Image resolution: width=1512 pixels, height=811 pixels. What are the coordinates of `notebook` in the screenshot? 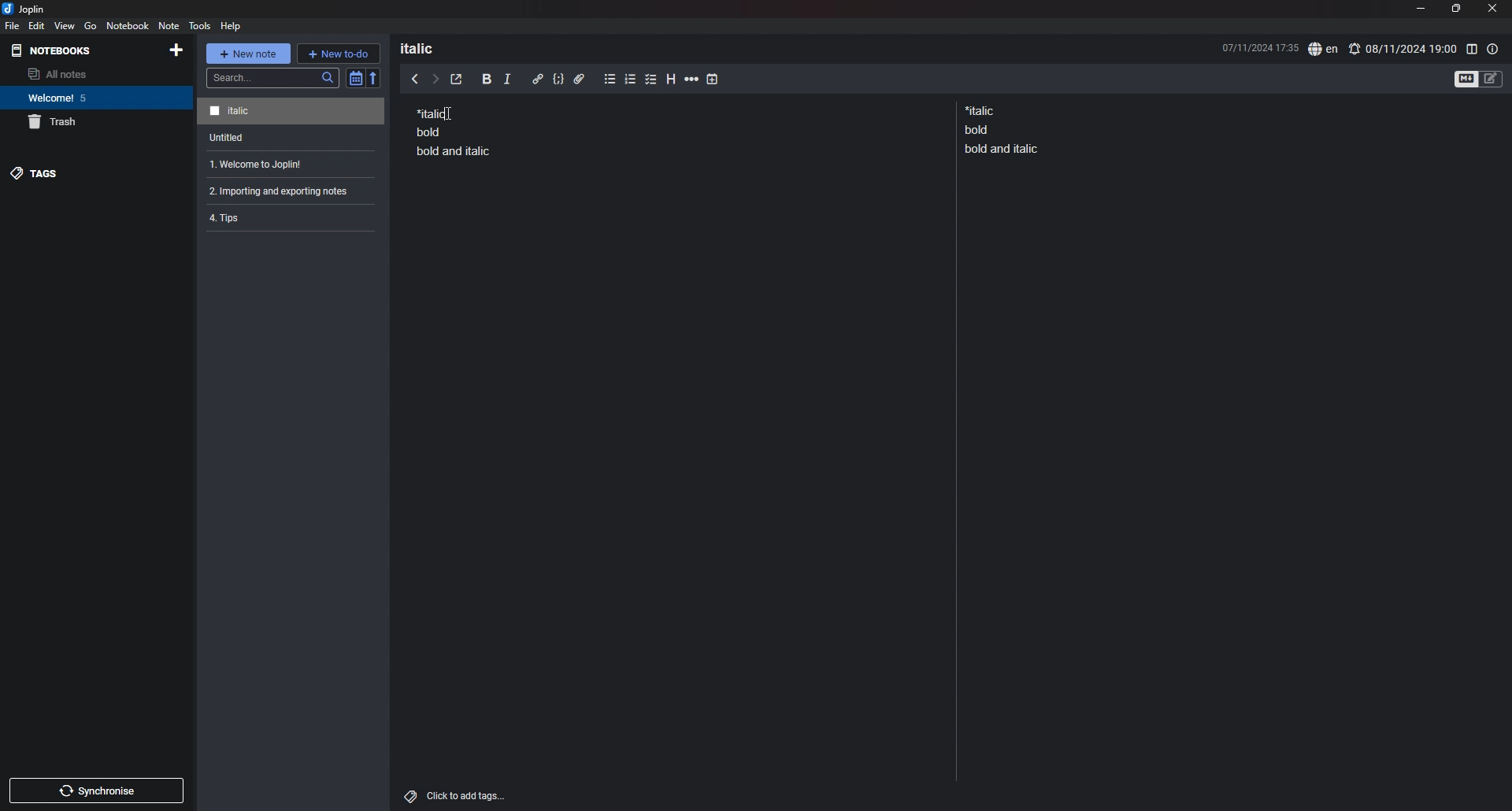 It's located at (94, 98).